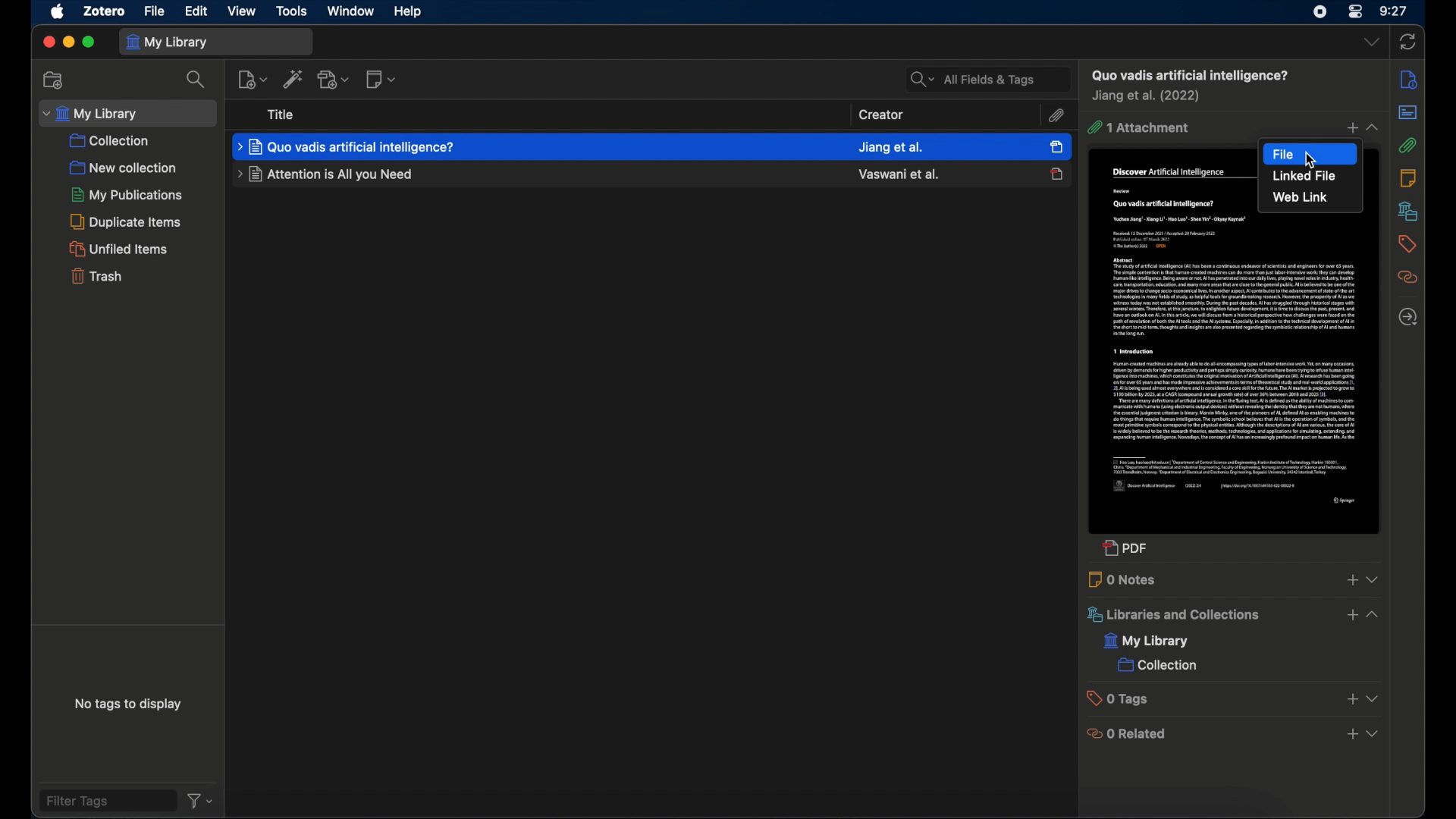  What do you see at coordinates (1407, 211) in the screenshot?
I see `libraries and collections` at bounding box center [1407, 211].